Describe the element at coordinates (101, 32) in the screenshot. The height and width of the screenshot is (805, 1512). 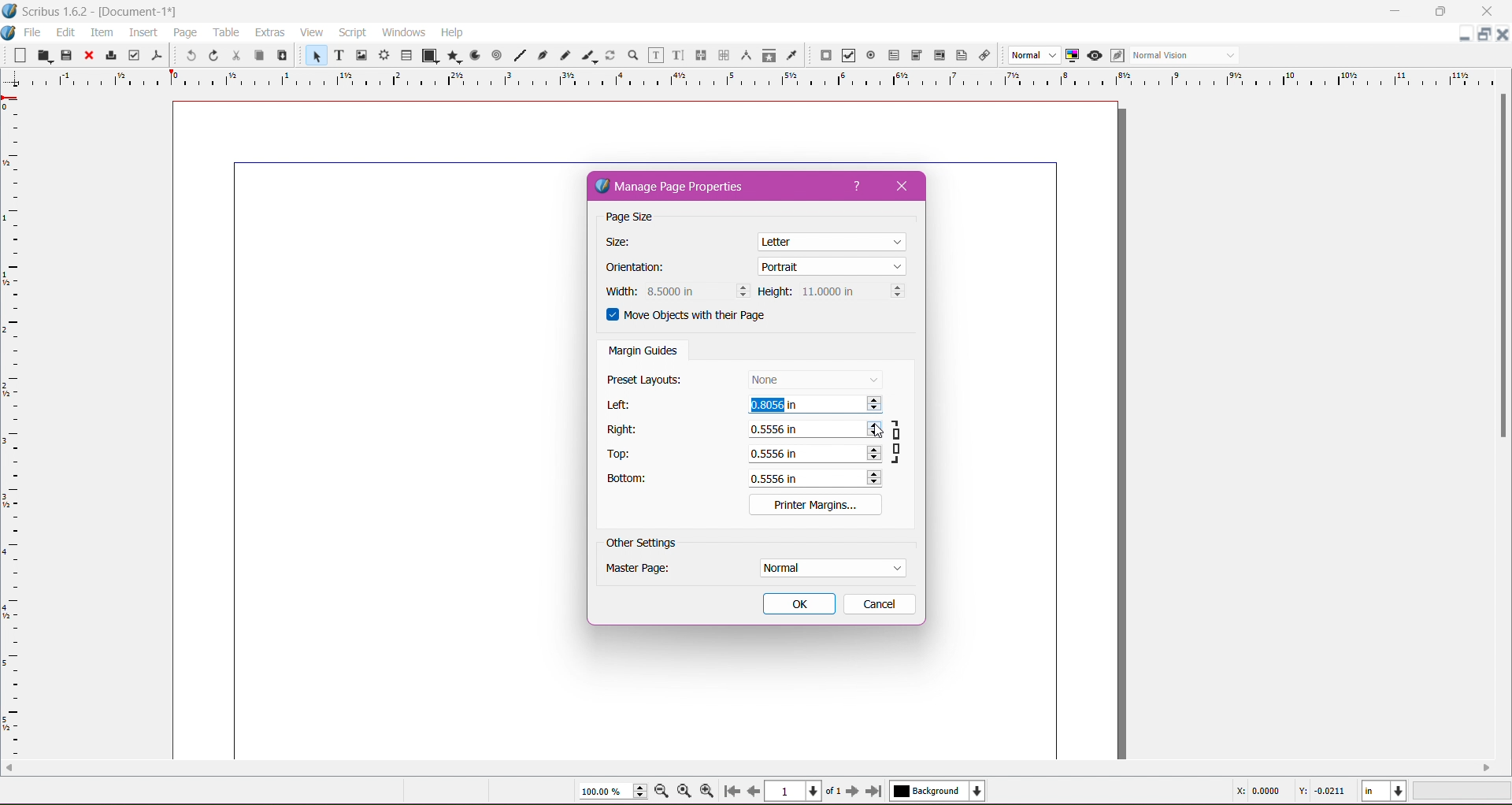
I see `Item` at that location.